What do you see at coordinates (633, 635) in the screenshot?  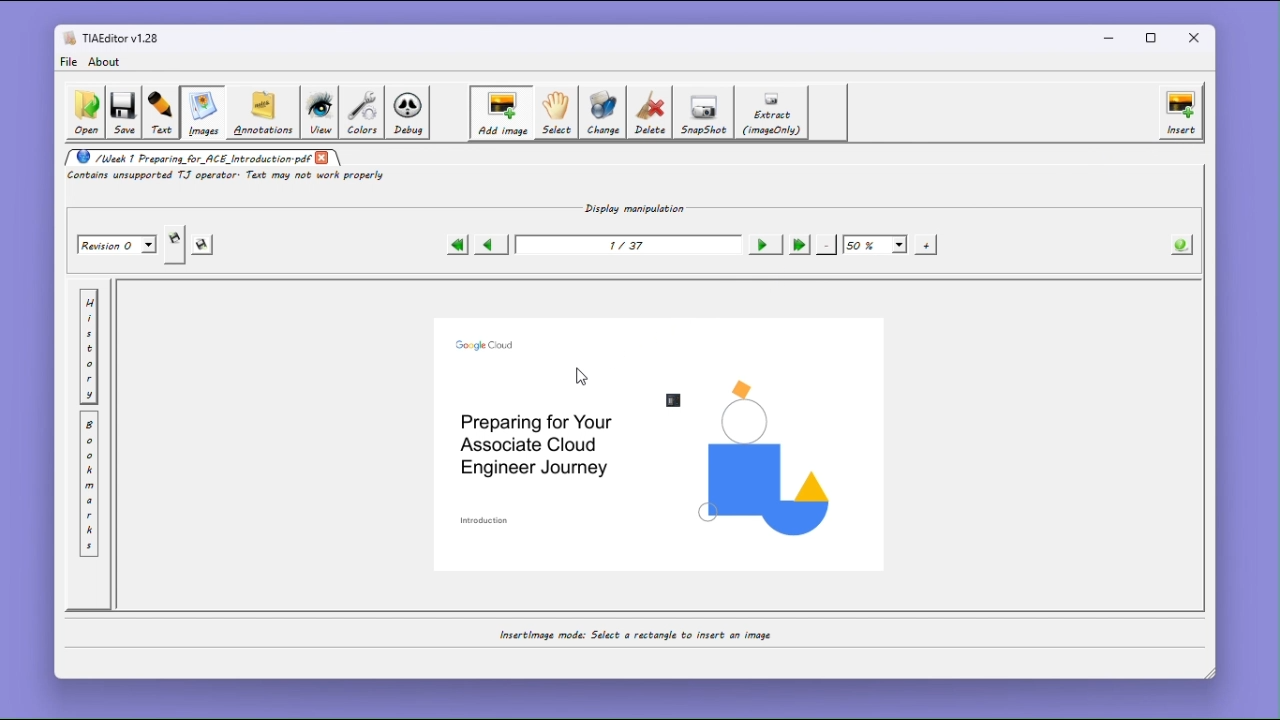 I see `Insertimage mode: Select a rectangle to insert an image` at bounding box center [633, 635].